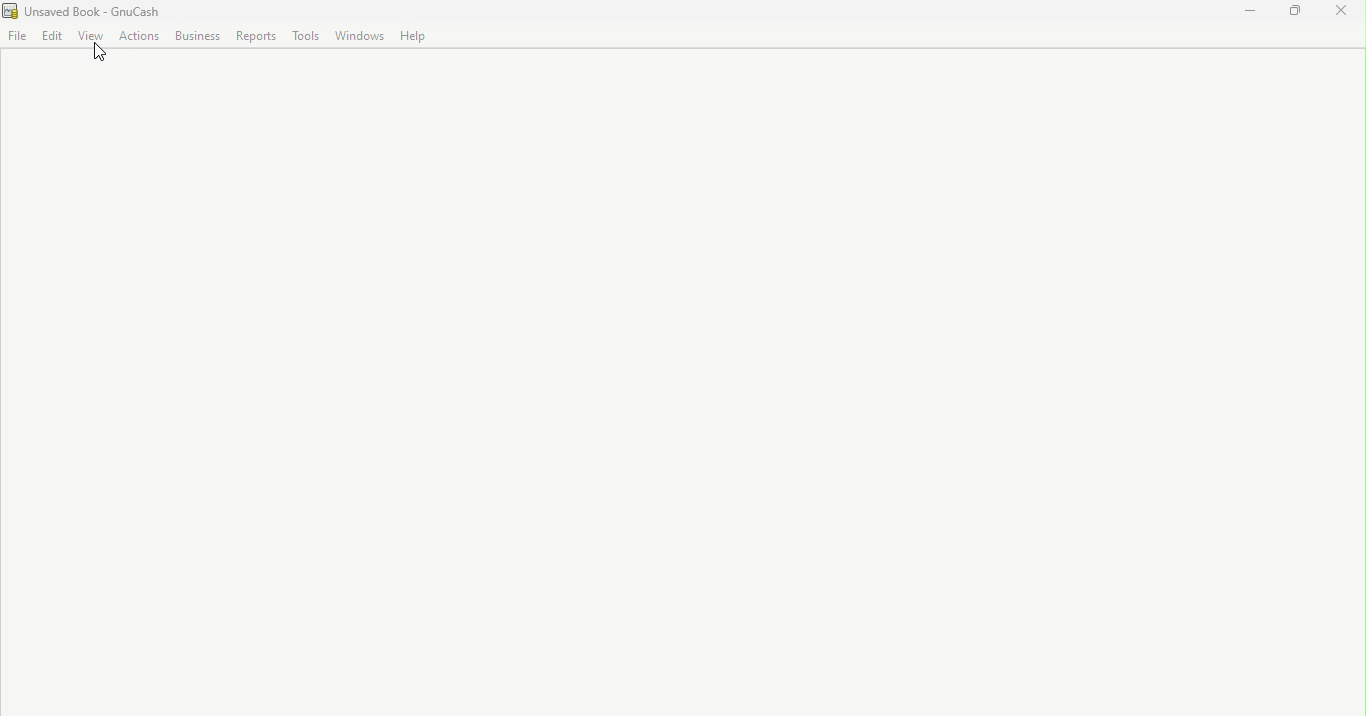 This screenshot has height=716, width=1366. I want to click on Business, so click(200, 37).